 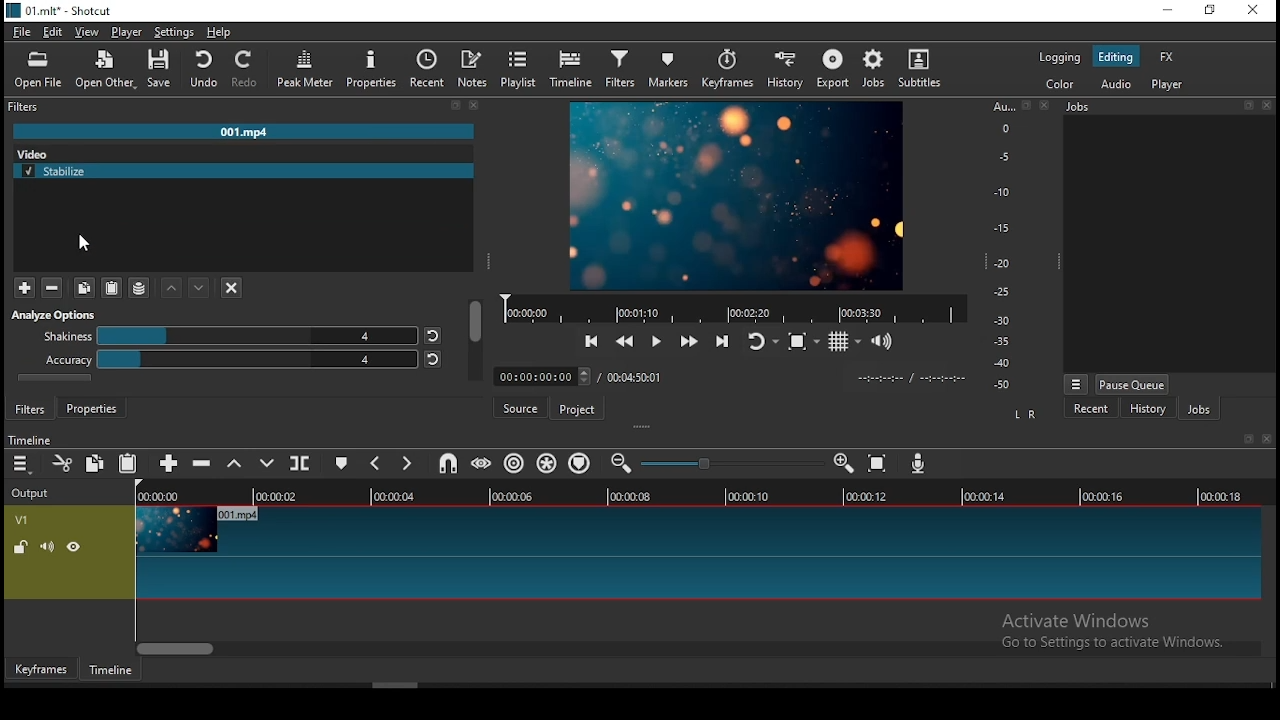 What do you see at coordinates (1045, 107) in the screenshot?
I see `Close` at bounding box center [1045, 107].